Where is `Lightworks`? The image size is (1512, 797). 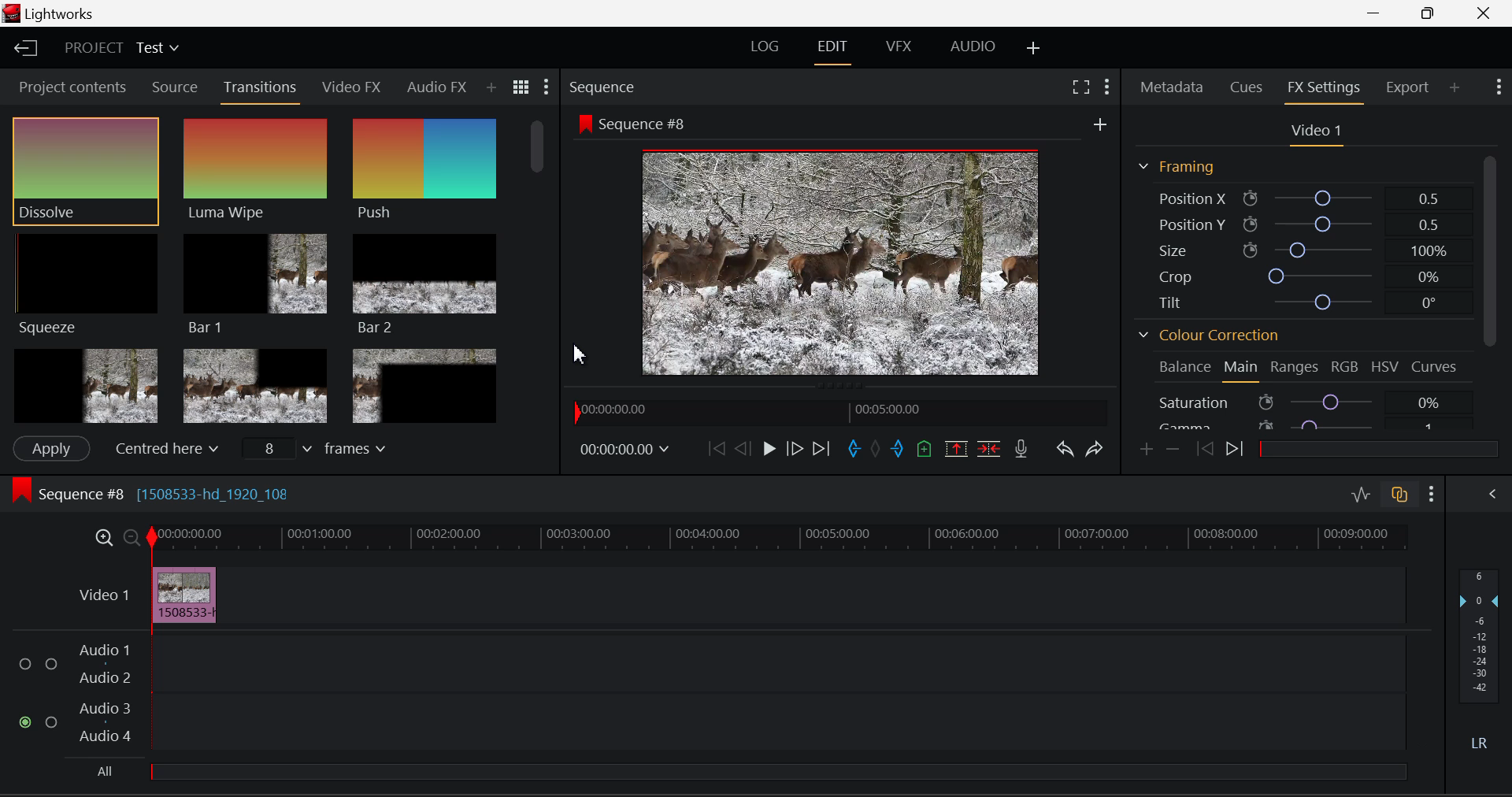 Lightworks is located at coordinates (54, 13).